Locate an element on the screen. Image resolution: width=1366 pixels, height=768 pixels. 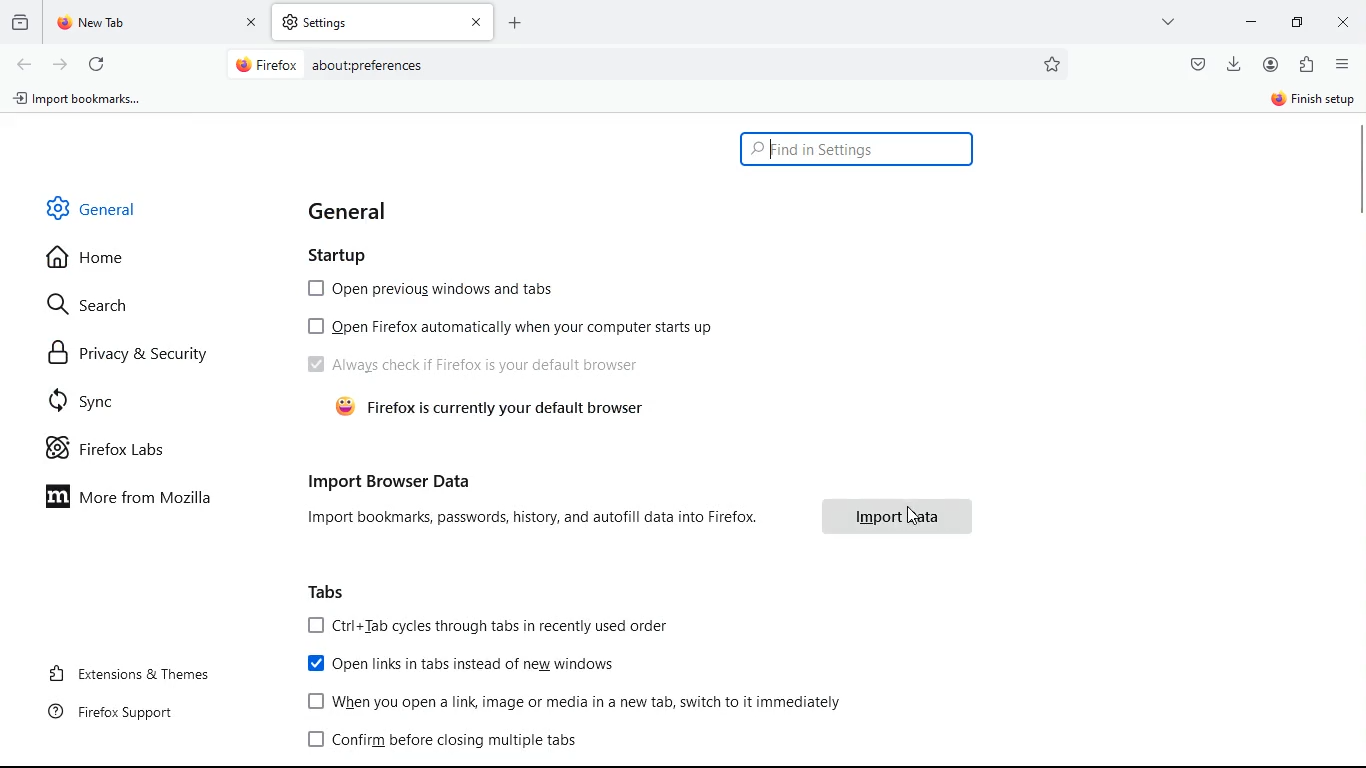
About:preferences is located at coordinates (366, 65).